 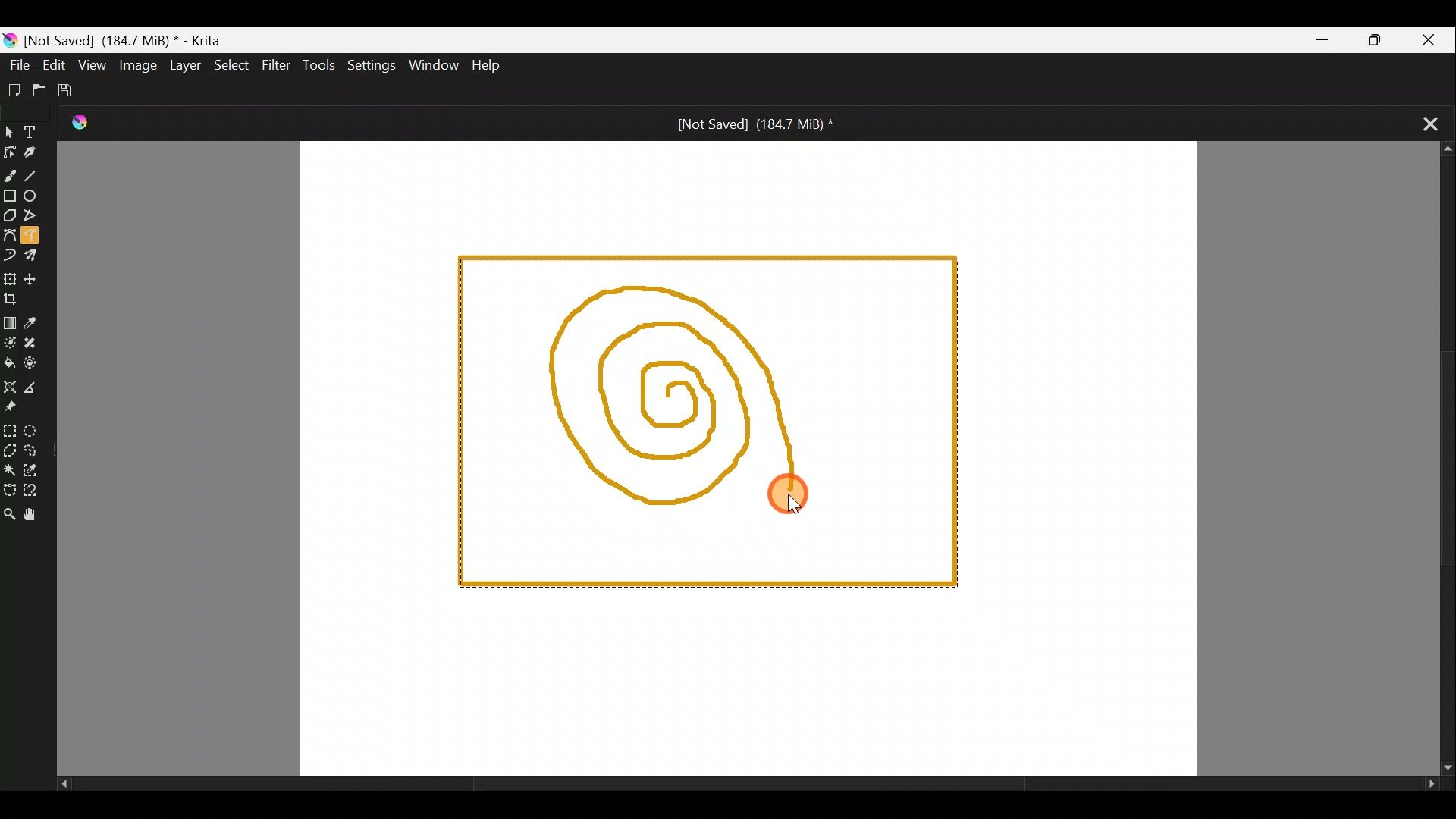 I want to click on Zoom tool, so click(x=9, y=514).